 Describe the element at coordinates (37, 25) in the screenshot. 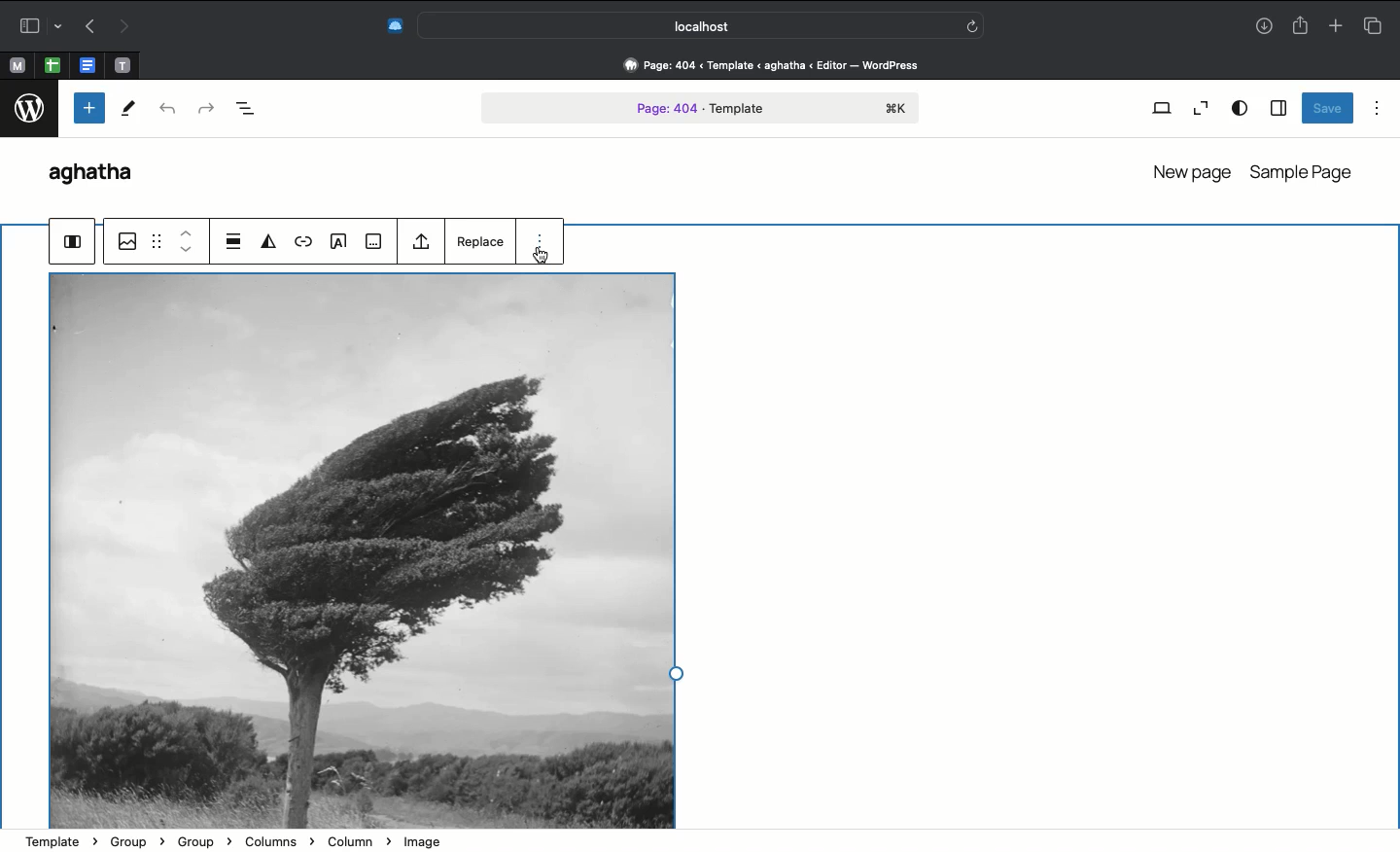

I see `Sidebar` at that location.